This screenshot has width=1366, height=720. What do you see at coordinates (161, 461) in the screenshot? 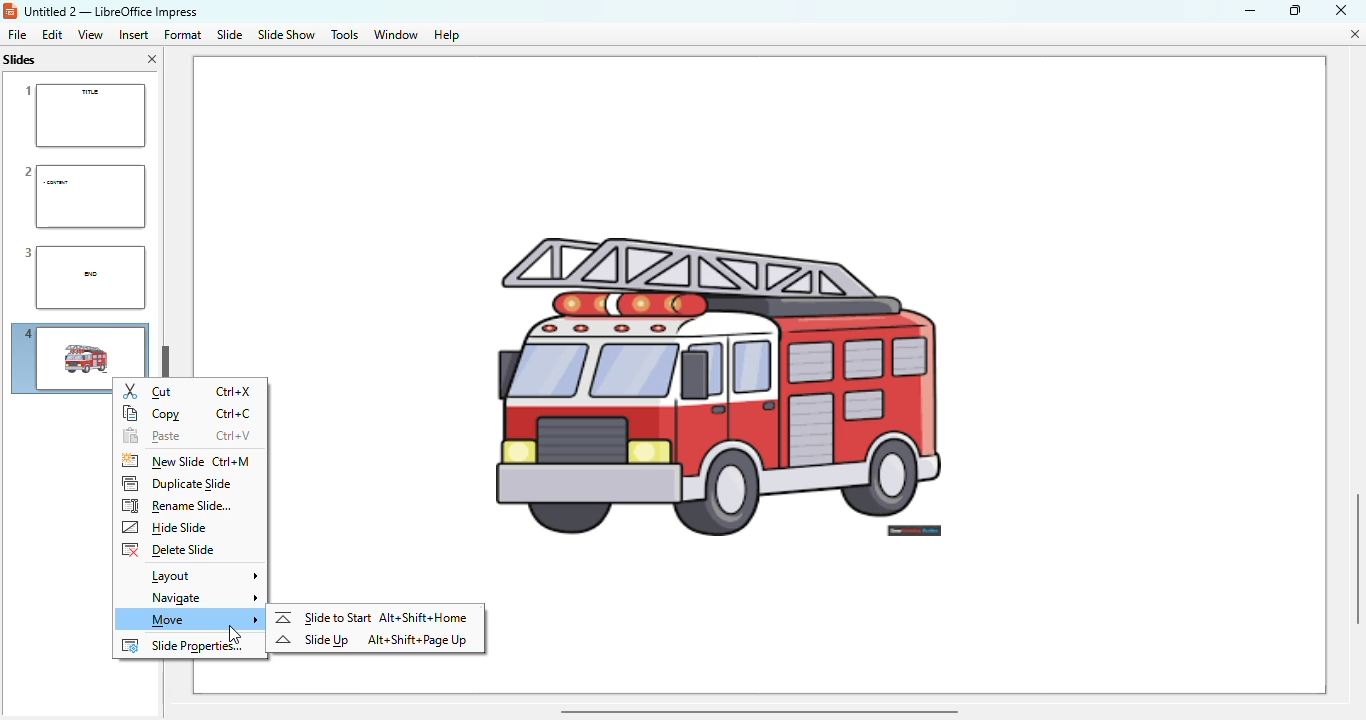
I see `new slide` at bounding box center [161, 461].